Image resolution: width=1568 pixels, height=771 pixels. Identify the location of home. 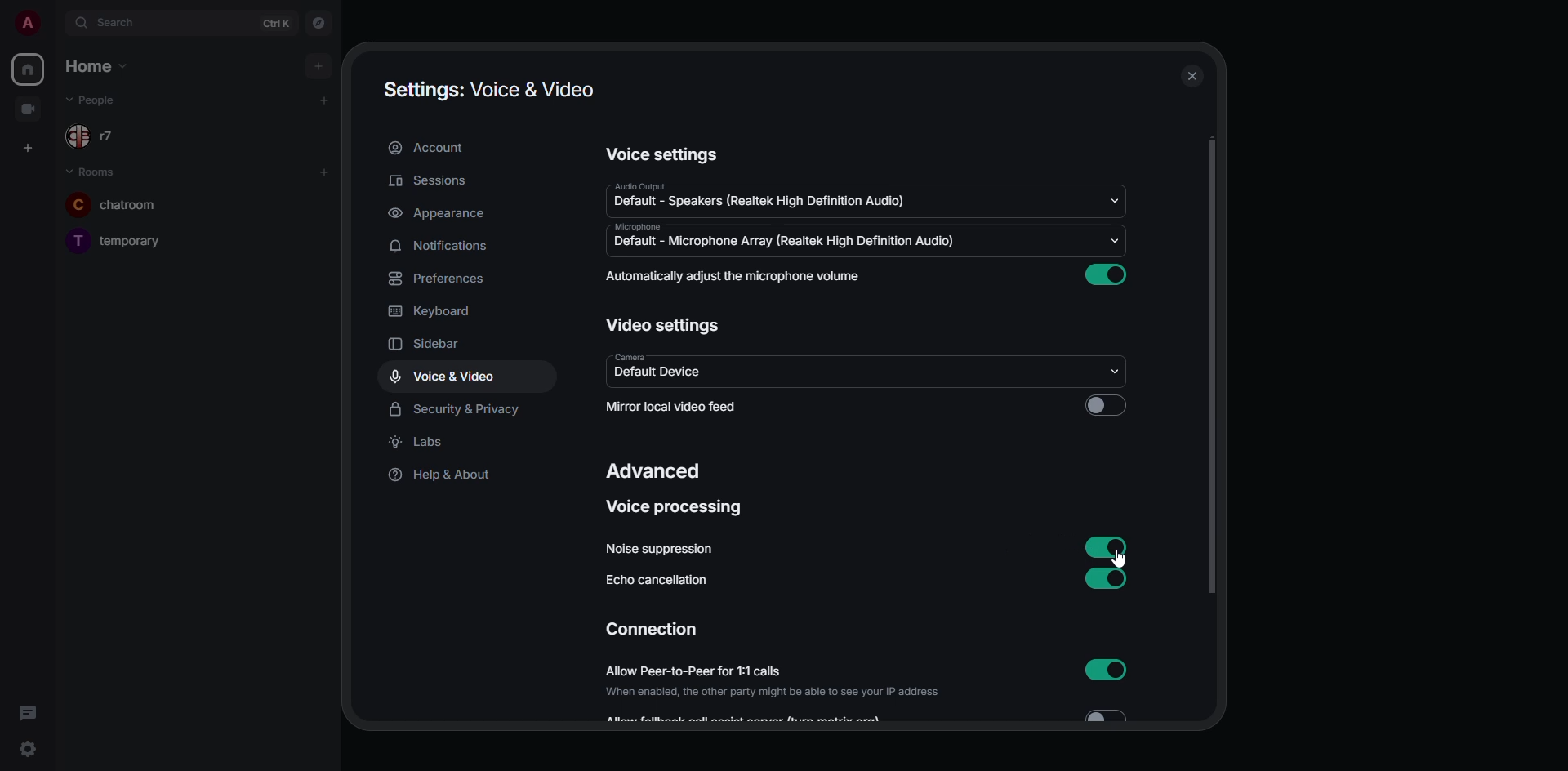
(98, 67).